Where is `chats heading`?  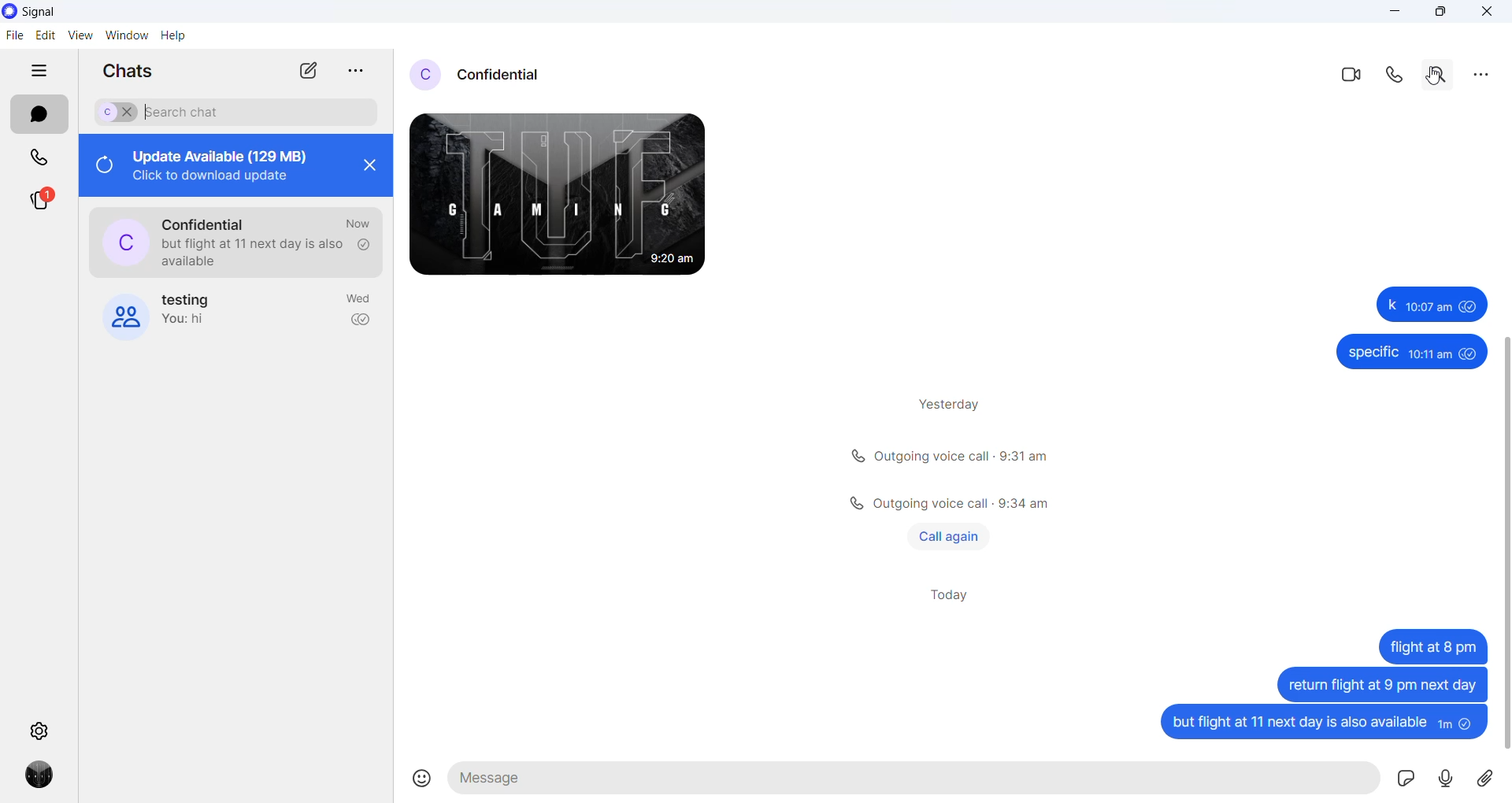 chats heading is located at coordinates (130, 70).